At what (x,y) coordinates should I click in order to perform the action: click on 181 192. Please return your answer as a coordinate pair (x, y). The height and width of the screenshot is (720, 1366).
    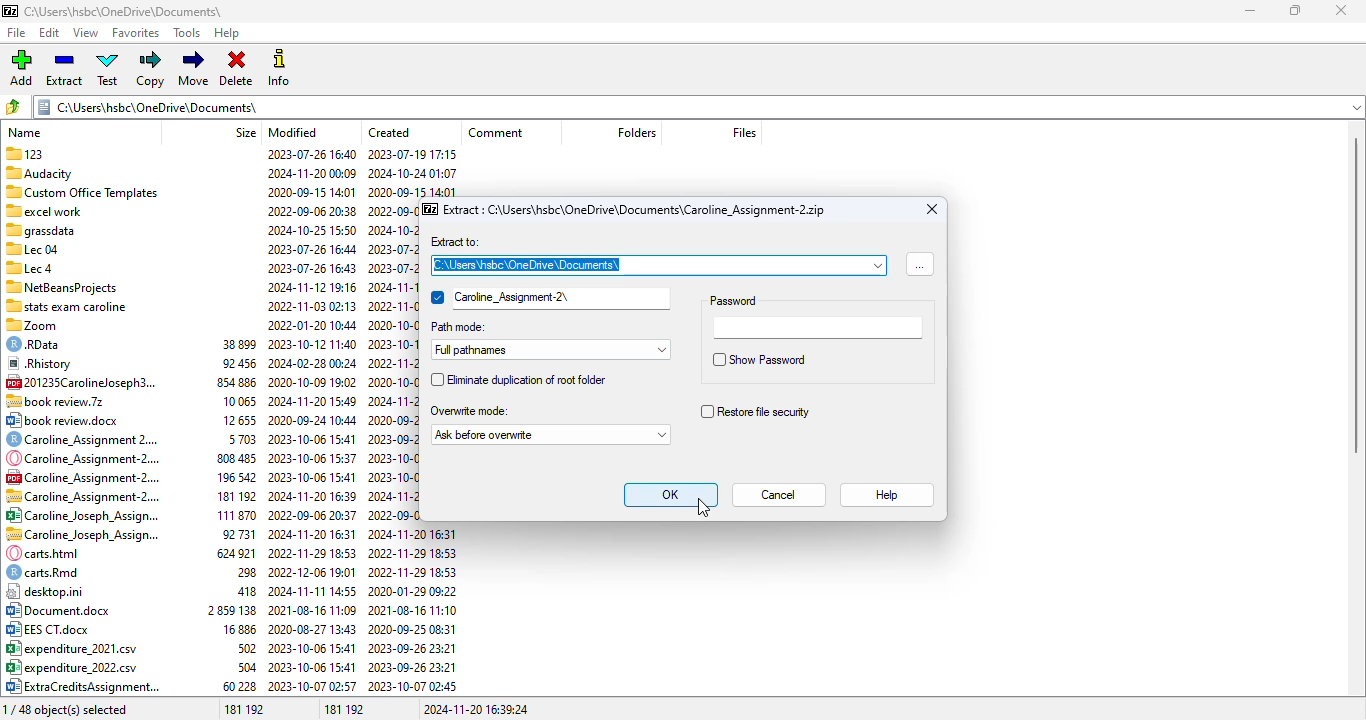
    Looking at the image, I should click on (345, 709).